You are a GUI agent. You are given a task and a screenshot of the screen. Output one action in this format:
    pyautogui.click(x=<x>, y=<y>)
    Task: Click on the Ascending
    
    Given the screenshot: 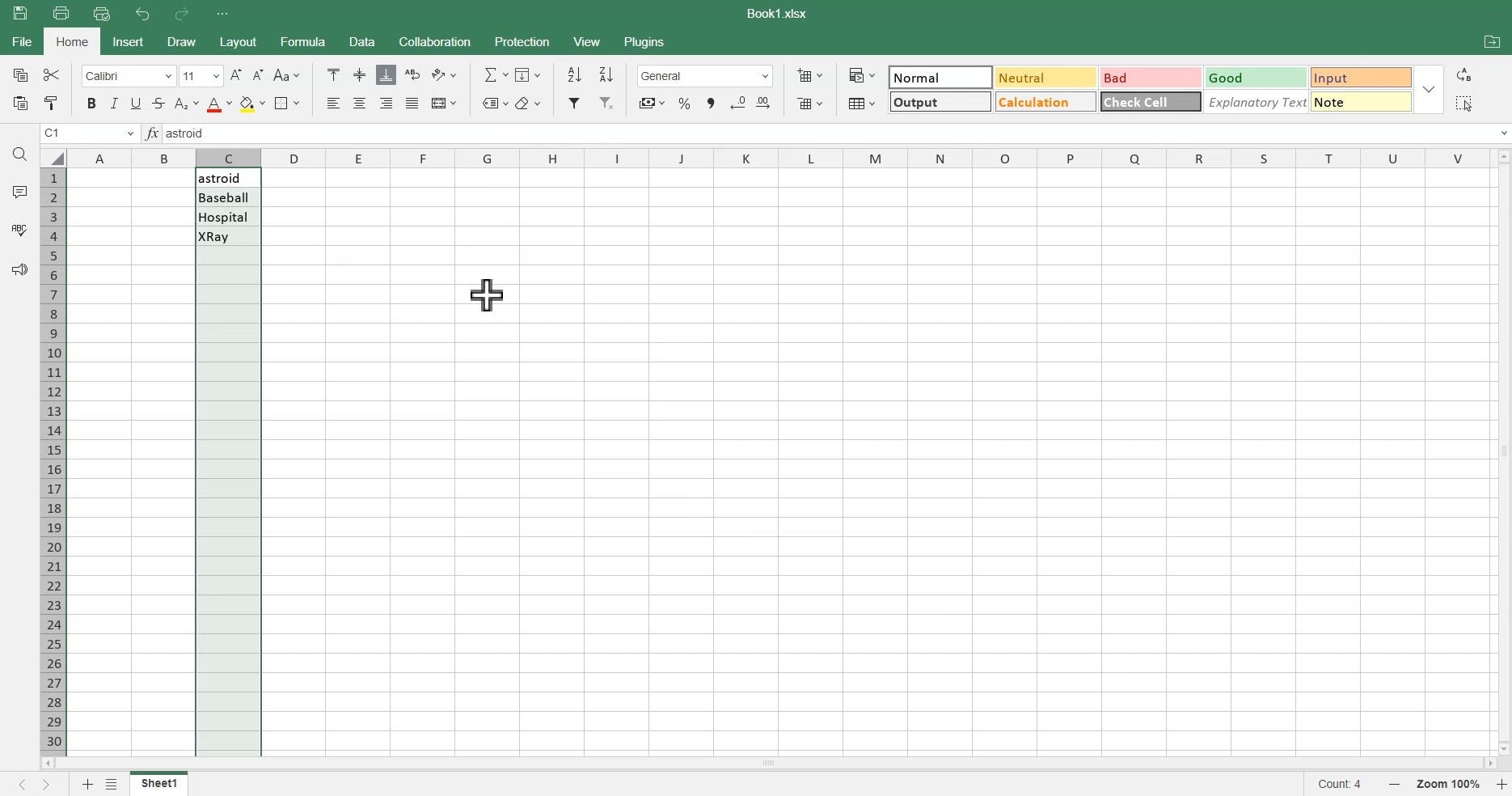 What is the action you would take?
    pyautogui.click(x=574, y=74)
    